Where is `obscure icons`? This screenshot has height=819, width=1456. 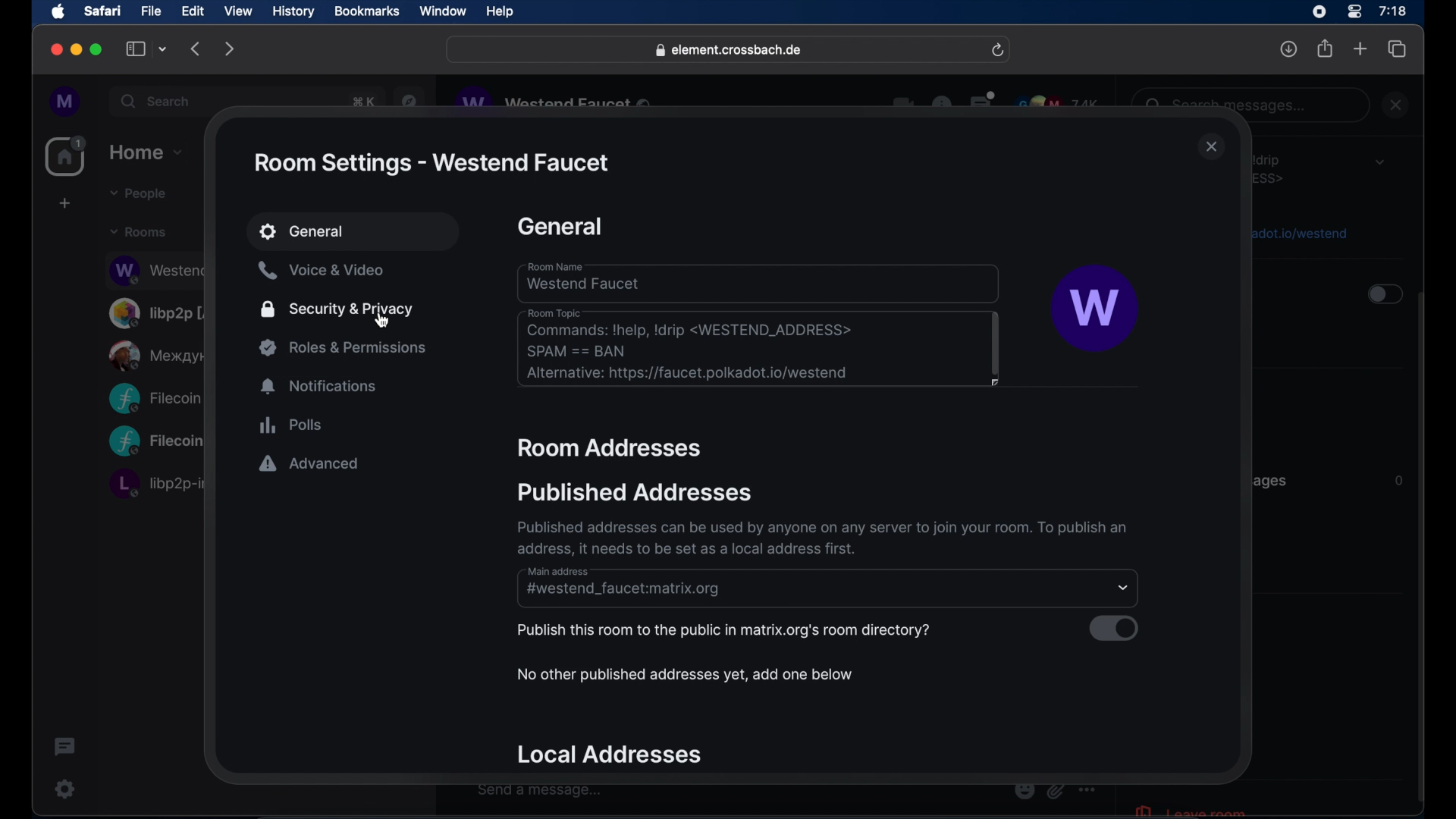
obscure icons is located at coordinates (996, 102).